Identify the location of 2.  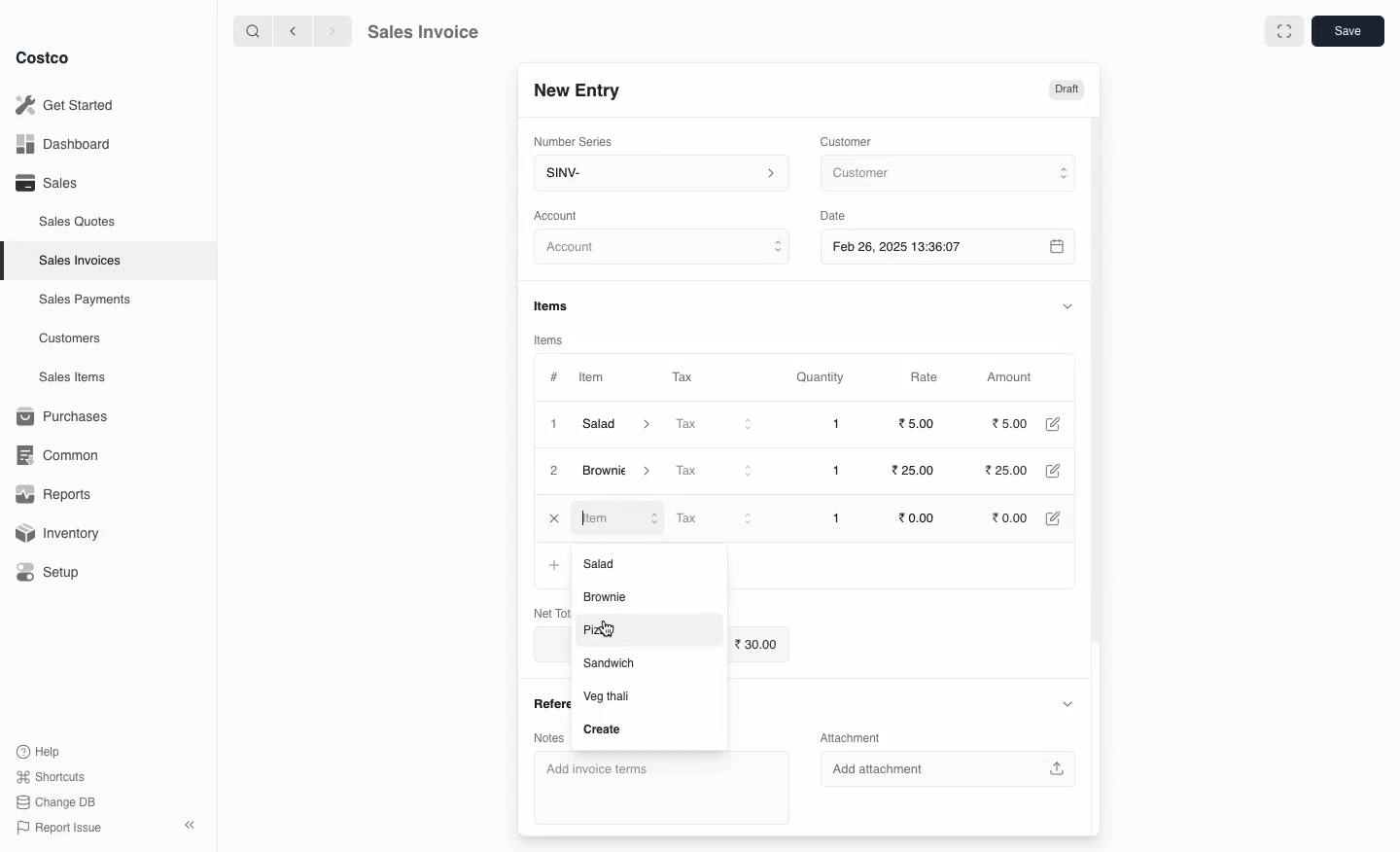
(555, 472).